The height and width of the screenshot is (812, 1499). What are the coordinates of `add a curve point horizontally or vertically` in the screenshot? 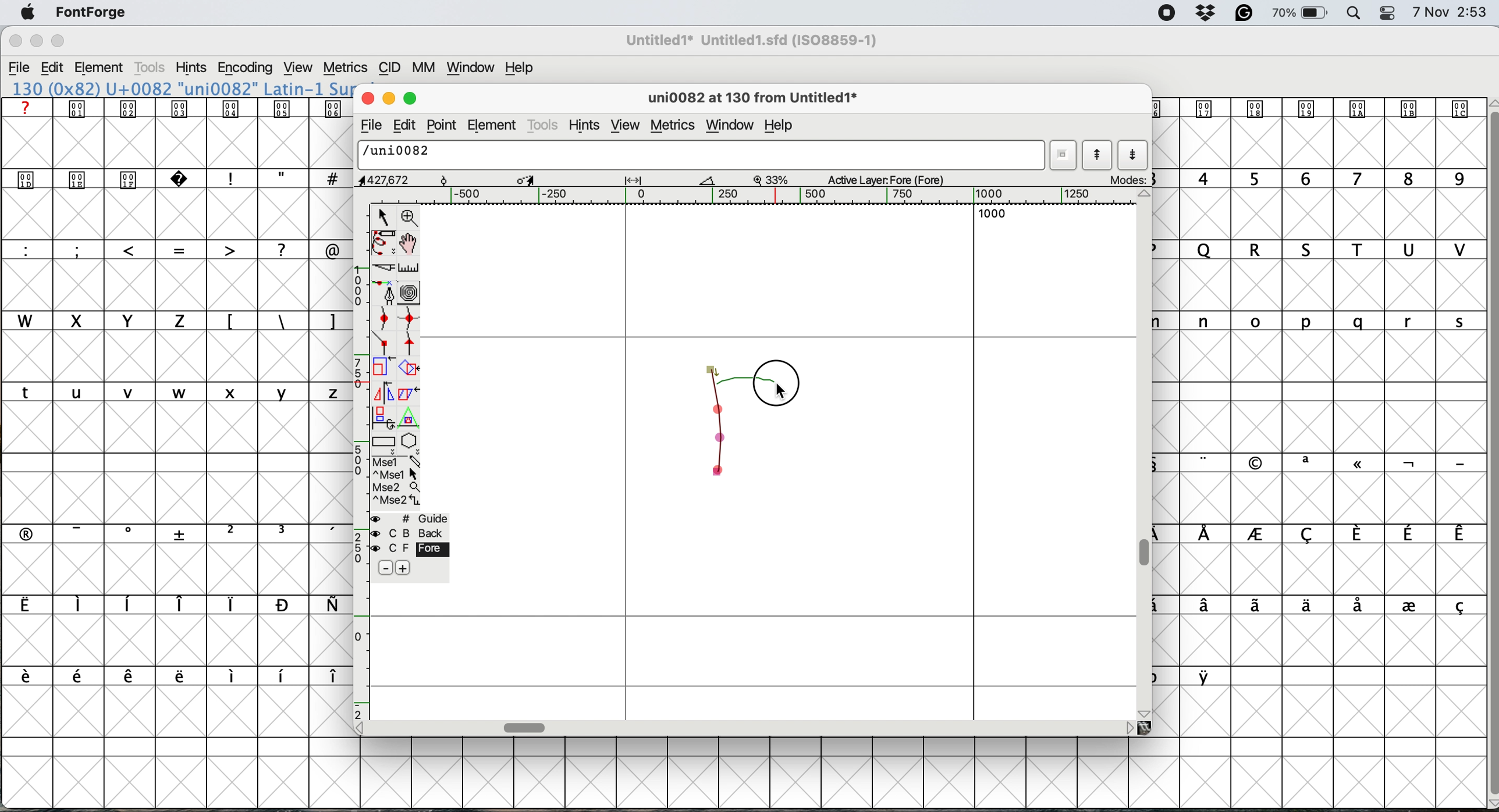 It's located at (413, 321).